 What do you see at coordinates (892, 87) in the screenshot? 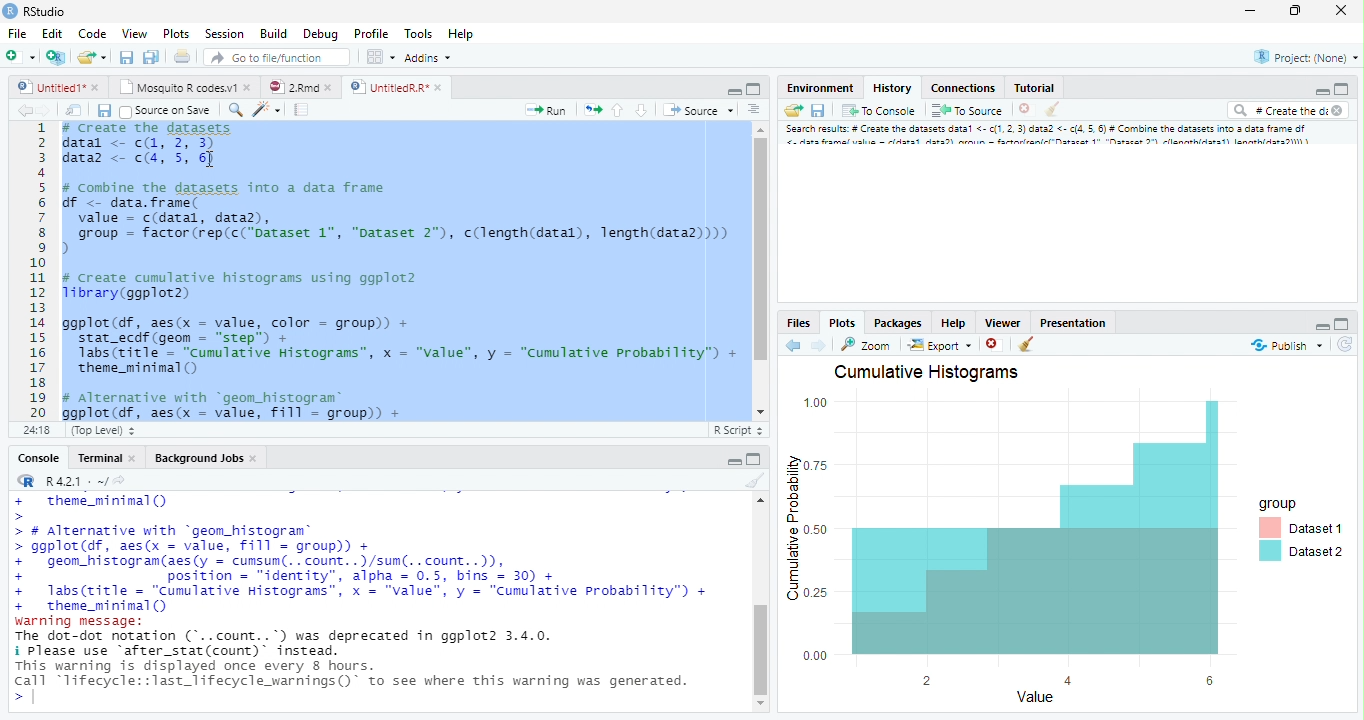
I see `History` at bounding box center [892, 87].